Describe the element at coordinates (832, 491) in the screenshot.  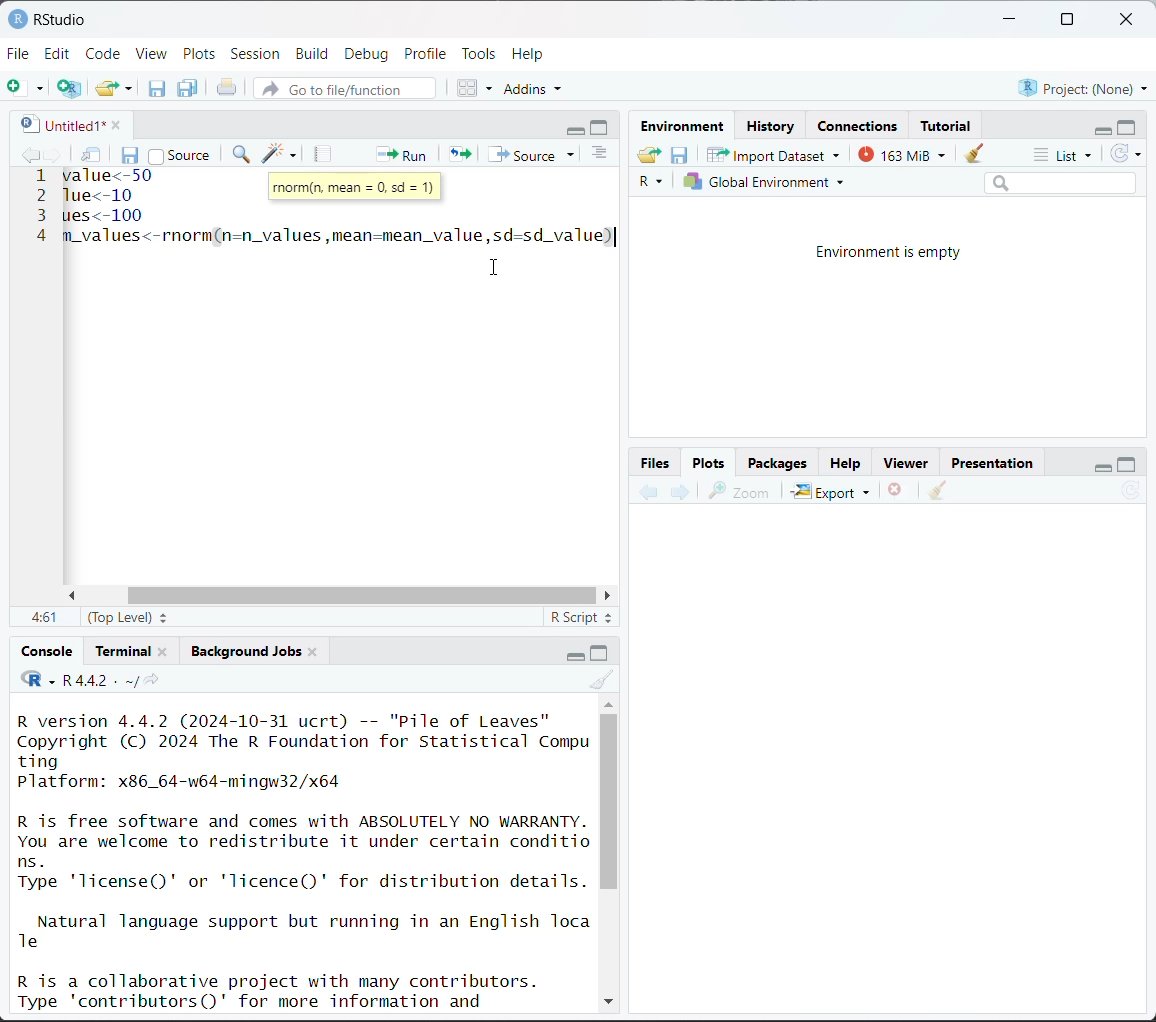
I see `Export` at that location.